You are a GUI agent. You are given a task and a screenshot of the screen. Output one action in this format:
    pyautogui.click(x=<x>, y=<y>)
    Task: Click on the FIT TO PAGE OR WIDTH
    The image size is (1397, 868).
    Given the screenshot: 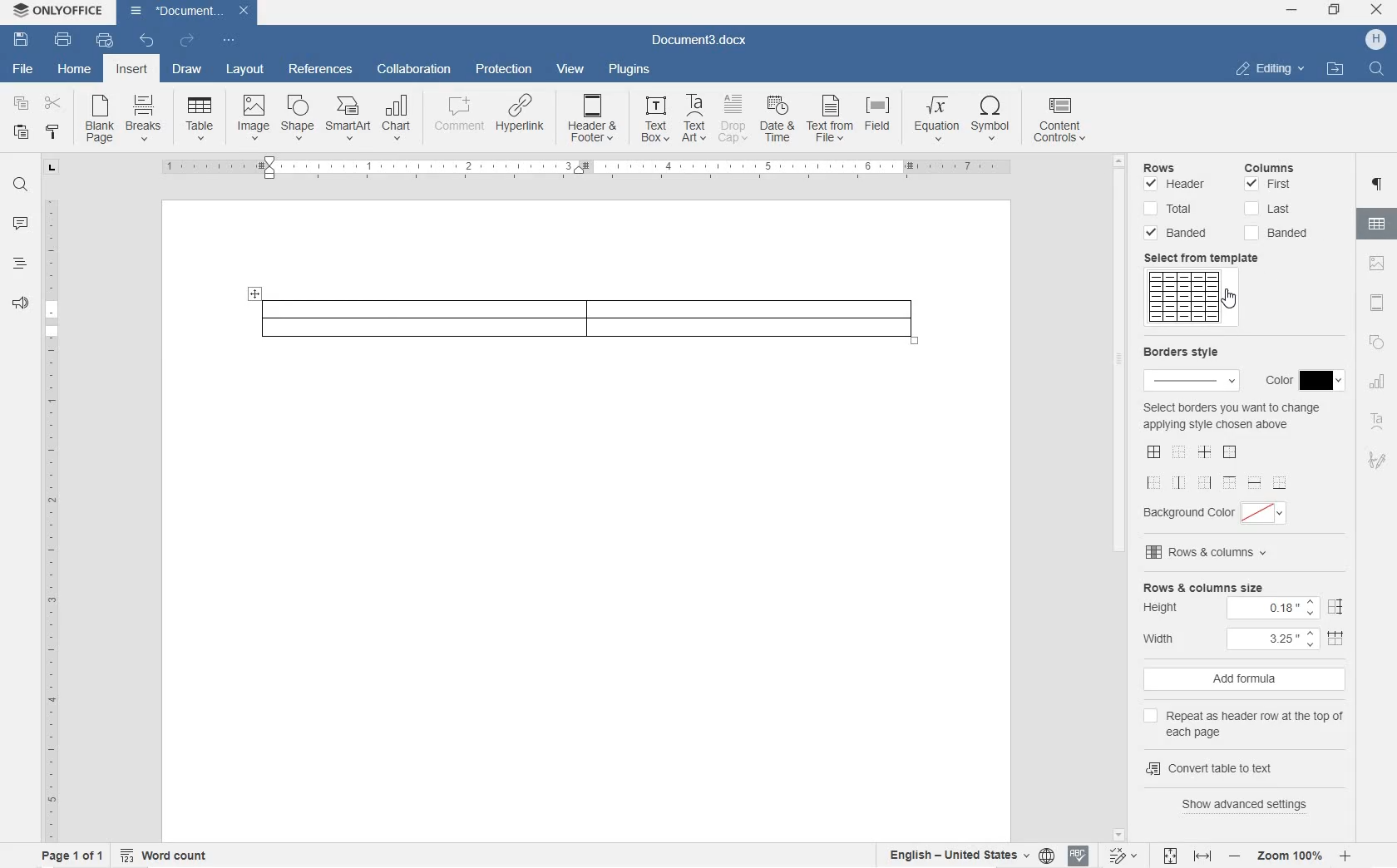 What is the action you would take?
    pyautogui.click(x=1187, y=857)
    